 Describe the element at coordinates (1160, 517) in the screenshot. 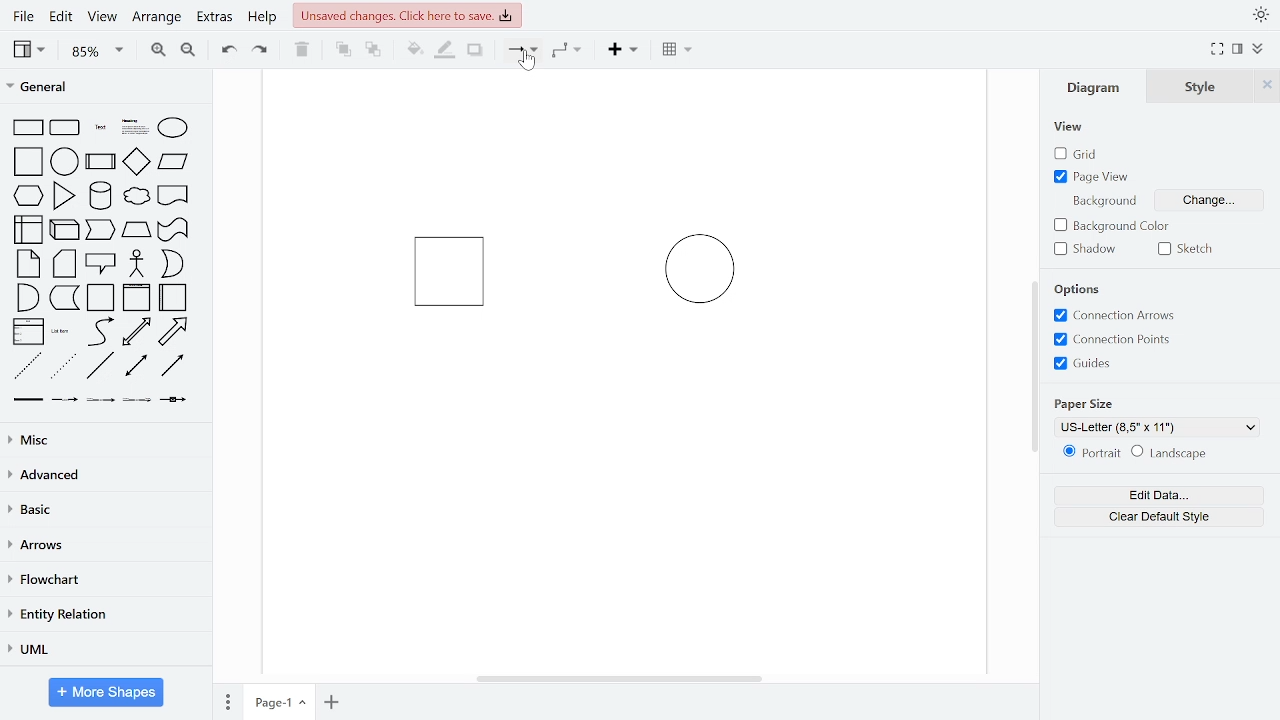

I see `clear default style` at that location.